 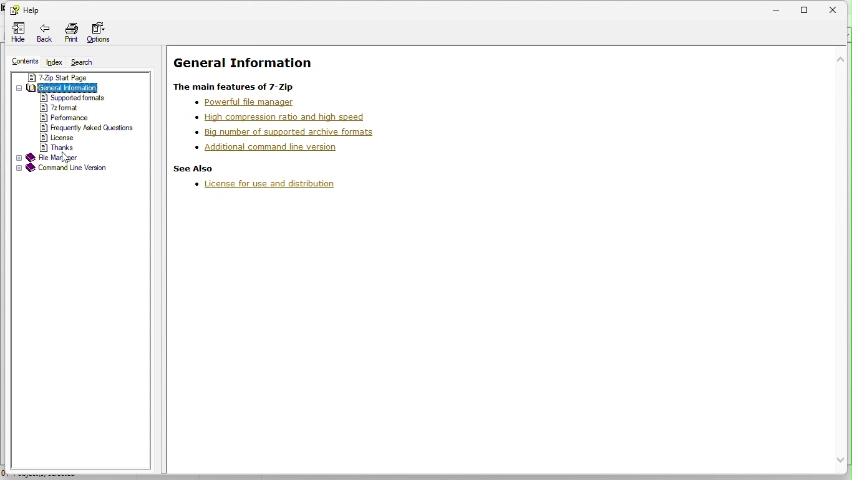 What do you see at coordinates (281, 116) in the screenshot?
I see `High compression ratio` at bounding box center [281, 116].